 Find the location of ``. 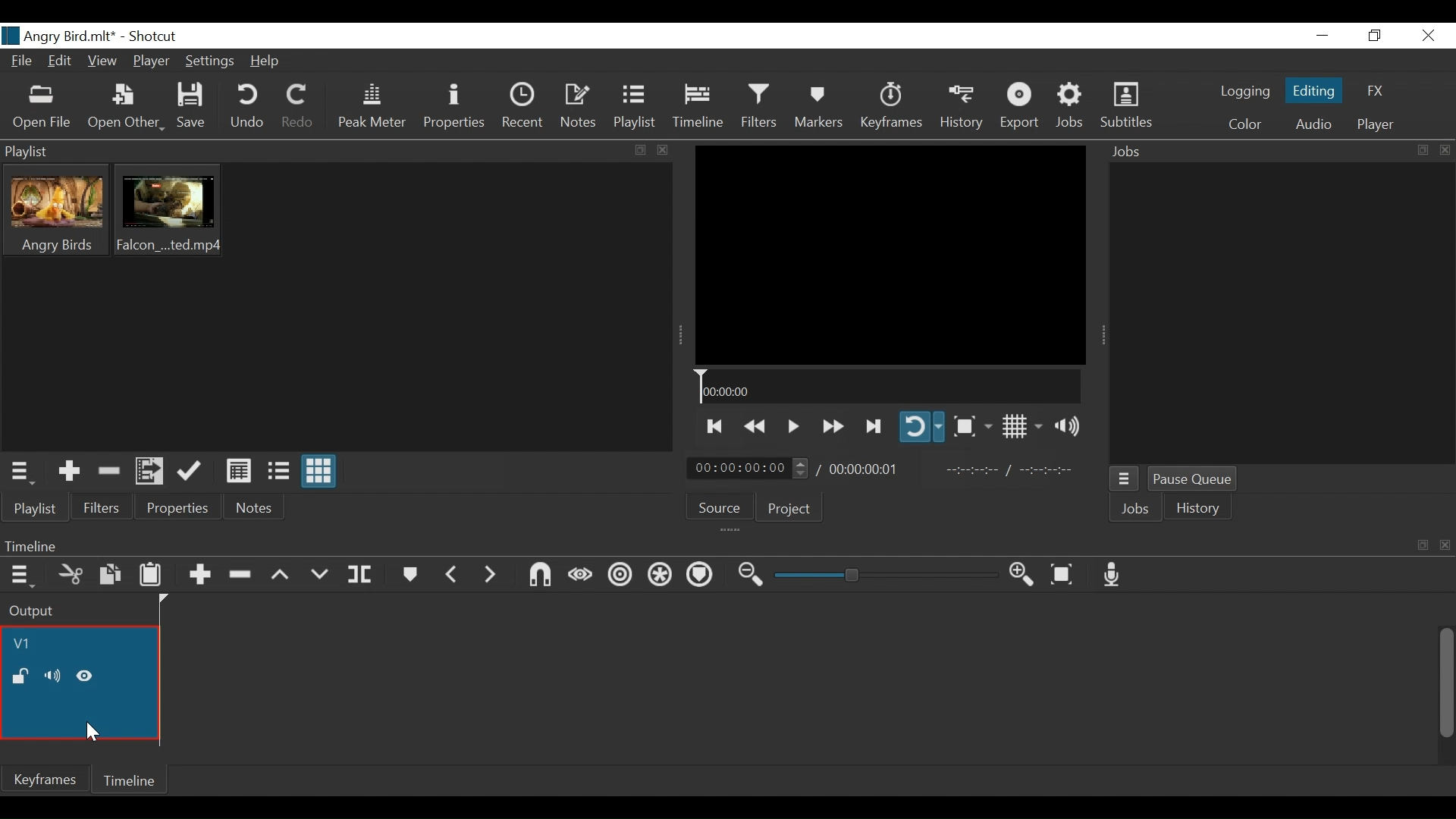

 is located at coordinates (1244, 124).